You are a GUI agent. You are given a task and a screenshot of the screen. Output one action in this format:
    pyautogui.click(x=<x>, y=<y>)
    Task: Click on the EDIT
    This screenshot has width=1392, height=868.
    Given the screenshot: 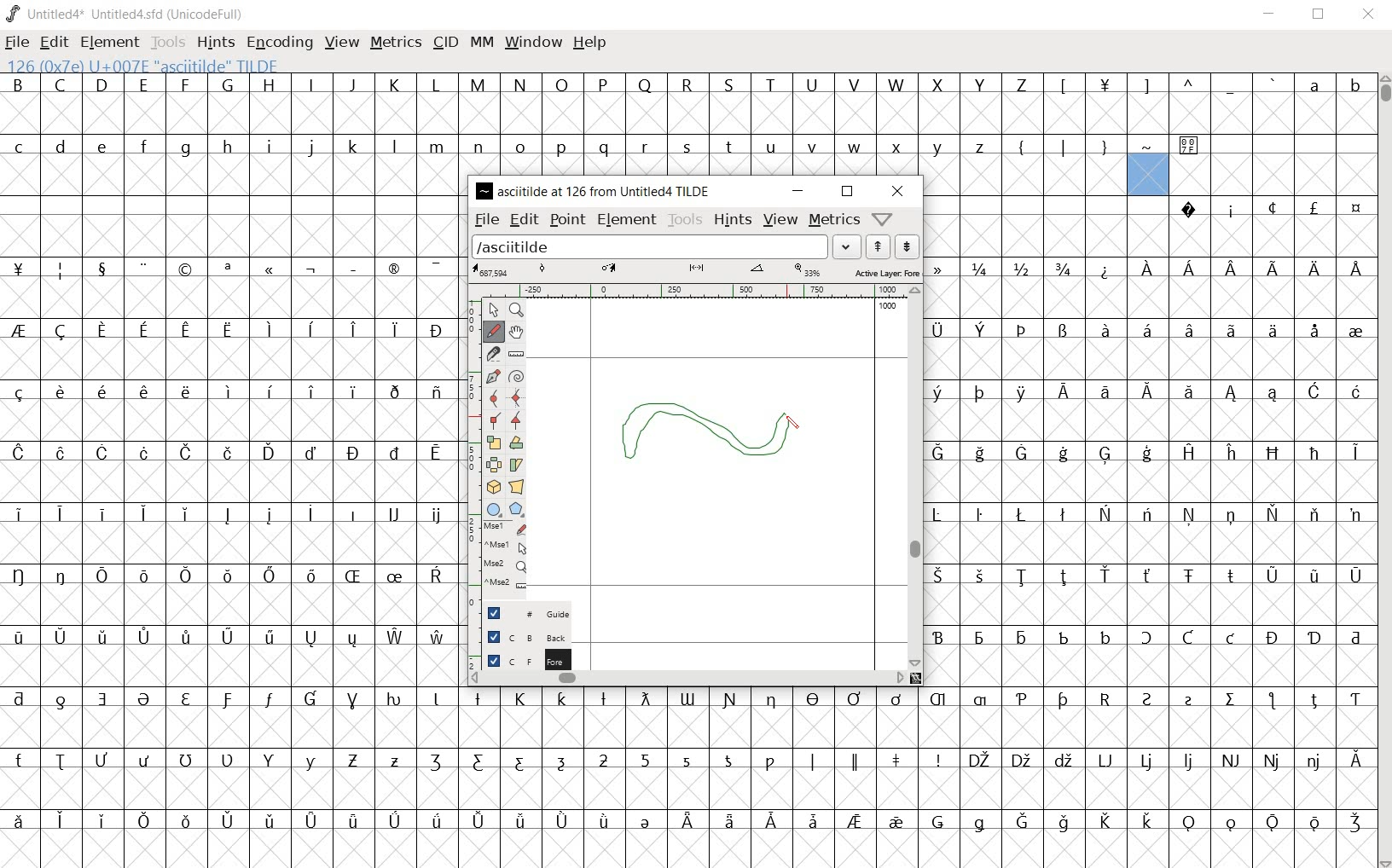 What is the action you would take?
    pyautogui.click(x=52, y=42)
    